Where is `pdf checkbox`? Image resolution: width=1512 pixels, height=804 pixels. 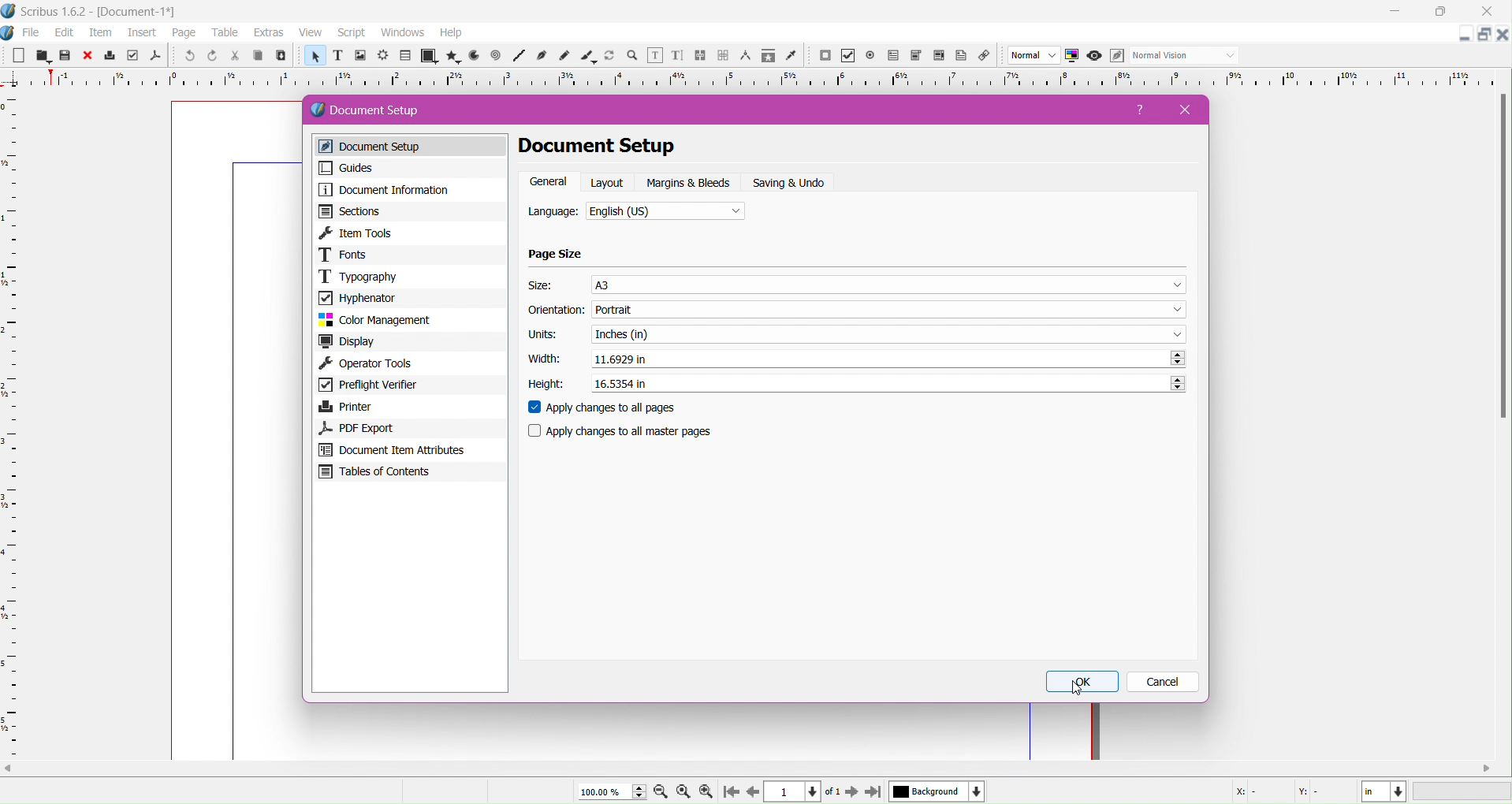 pdf checkbox is located at coordinates (847, 56).